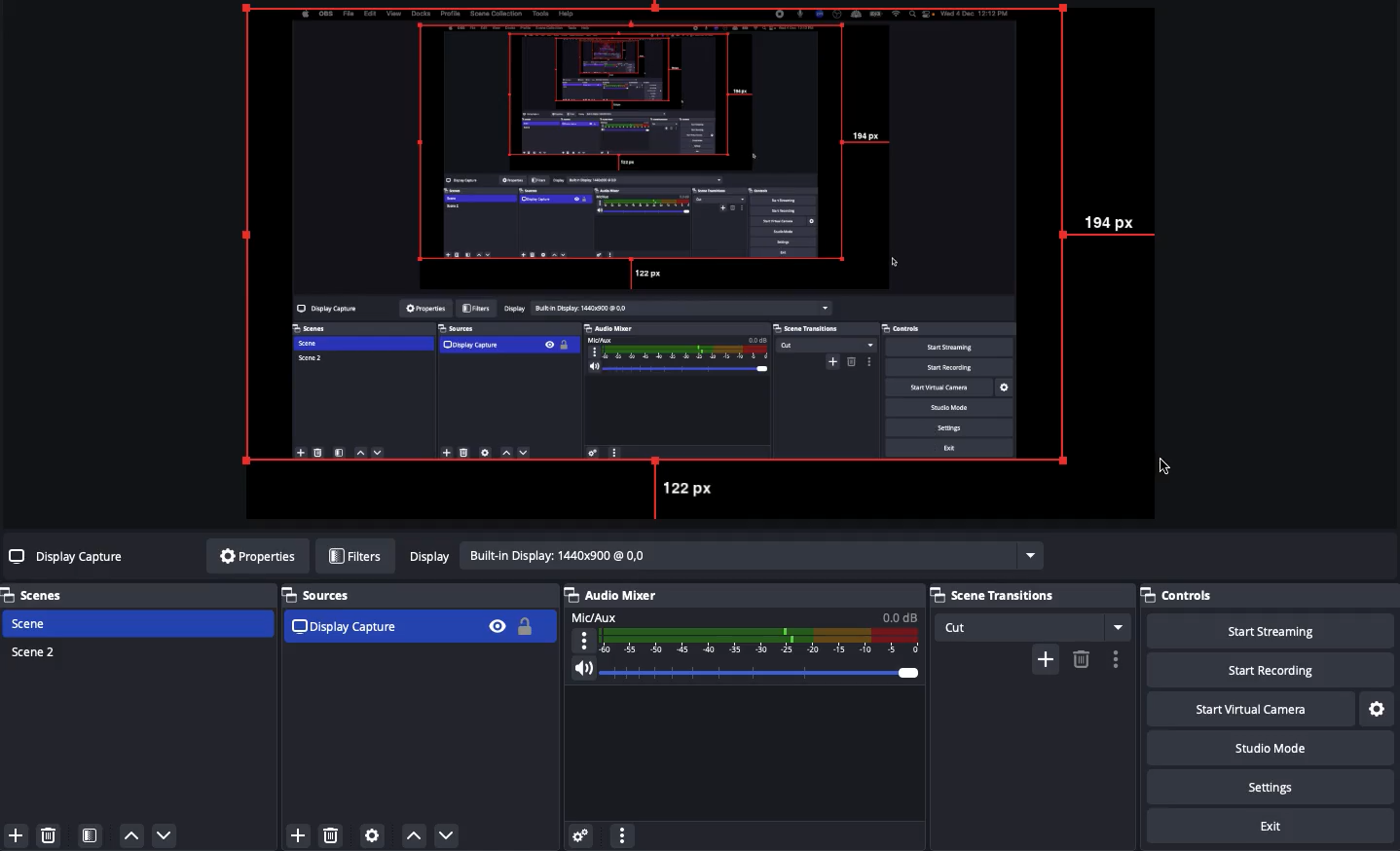 The image size is (1400, 851). I want to click on Settings, so click(1282, 787).